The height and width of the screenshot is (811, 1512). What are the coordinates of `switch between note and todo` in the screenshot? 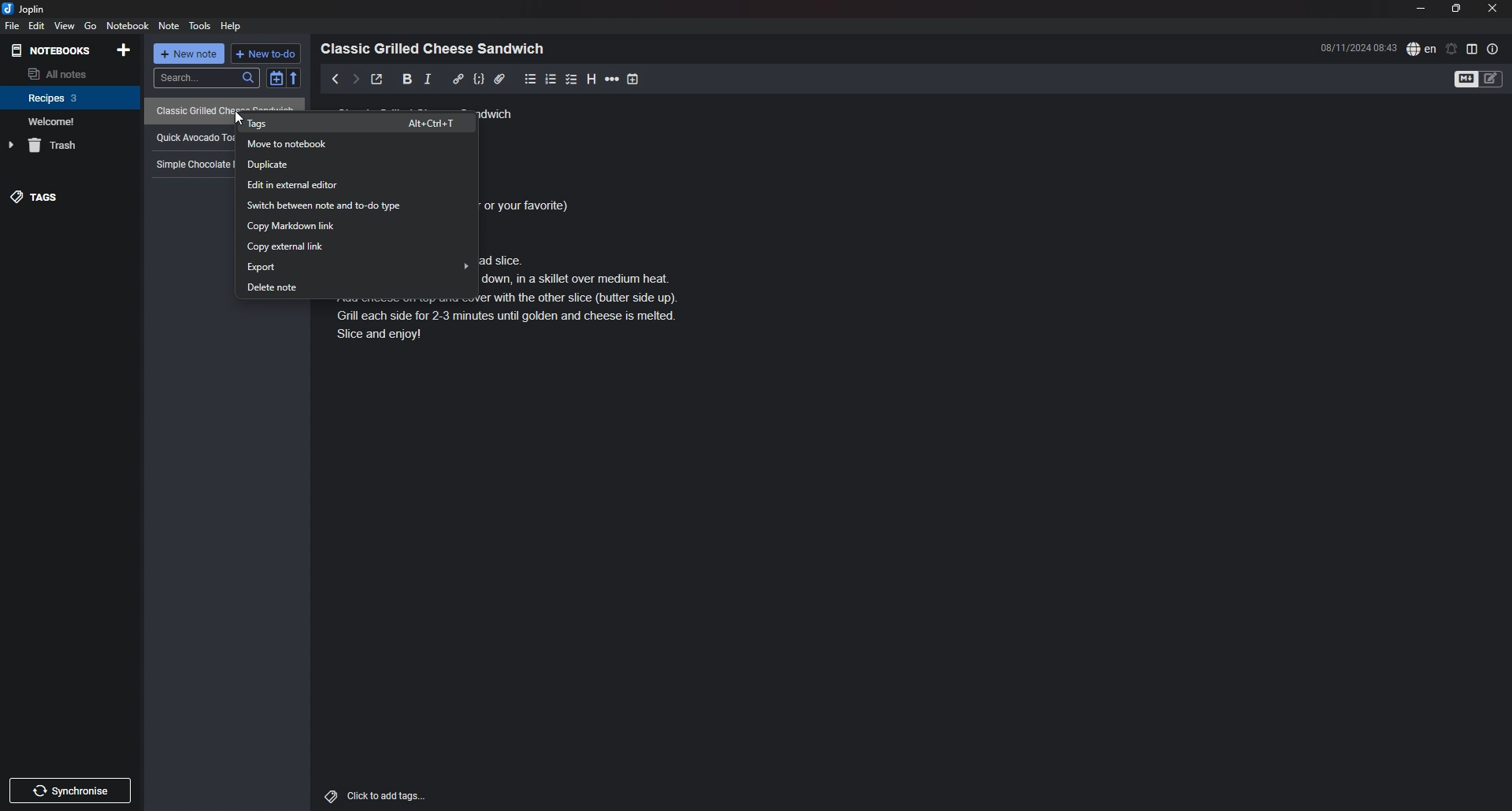 It's located at (354, 206).